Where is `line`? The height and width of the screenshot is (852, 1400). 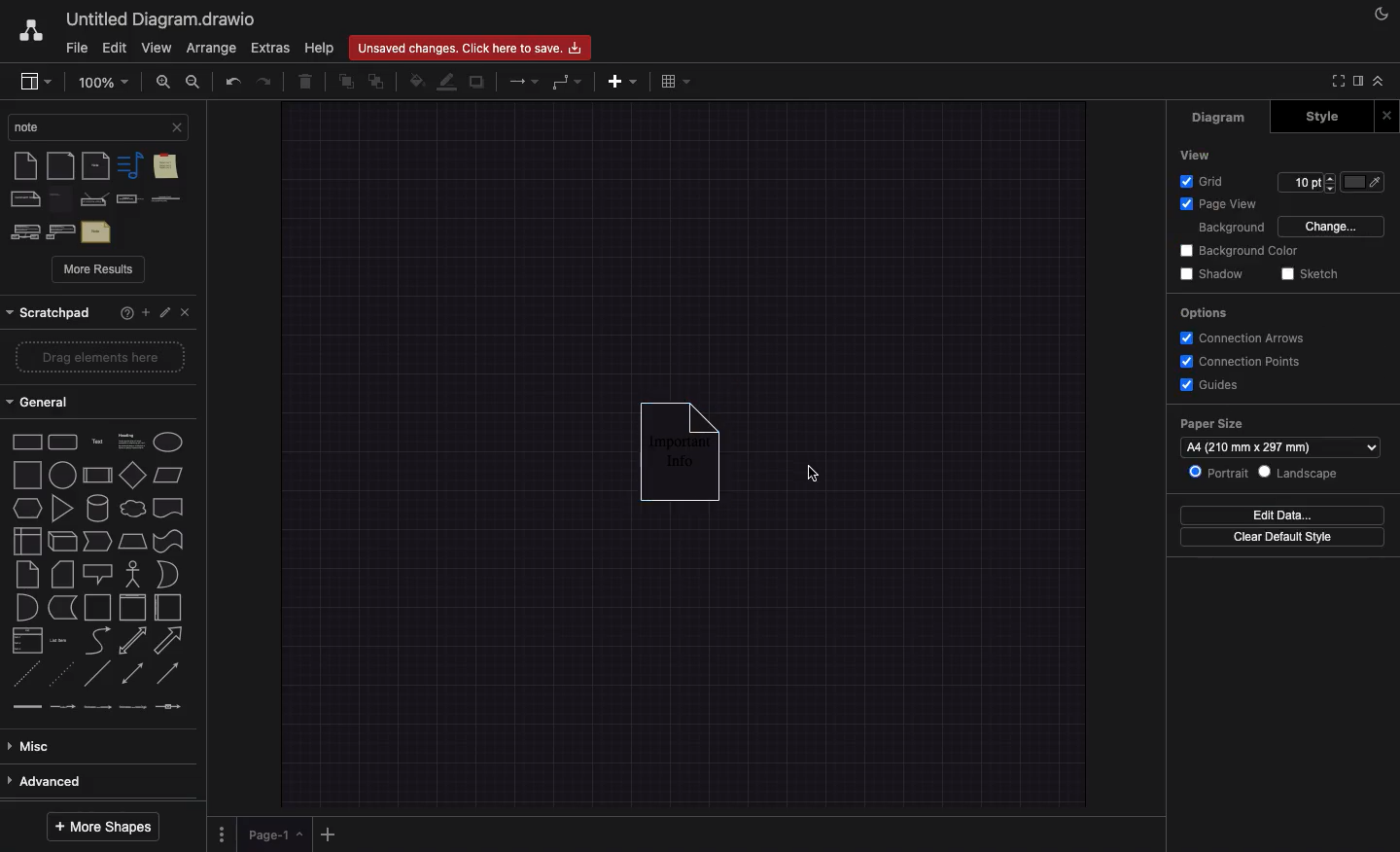 line is located at coordinates (98, 678).